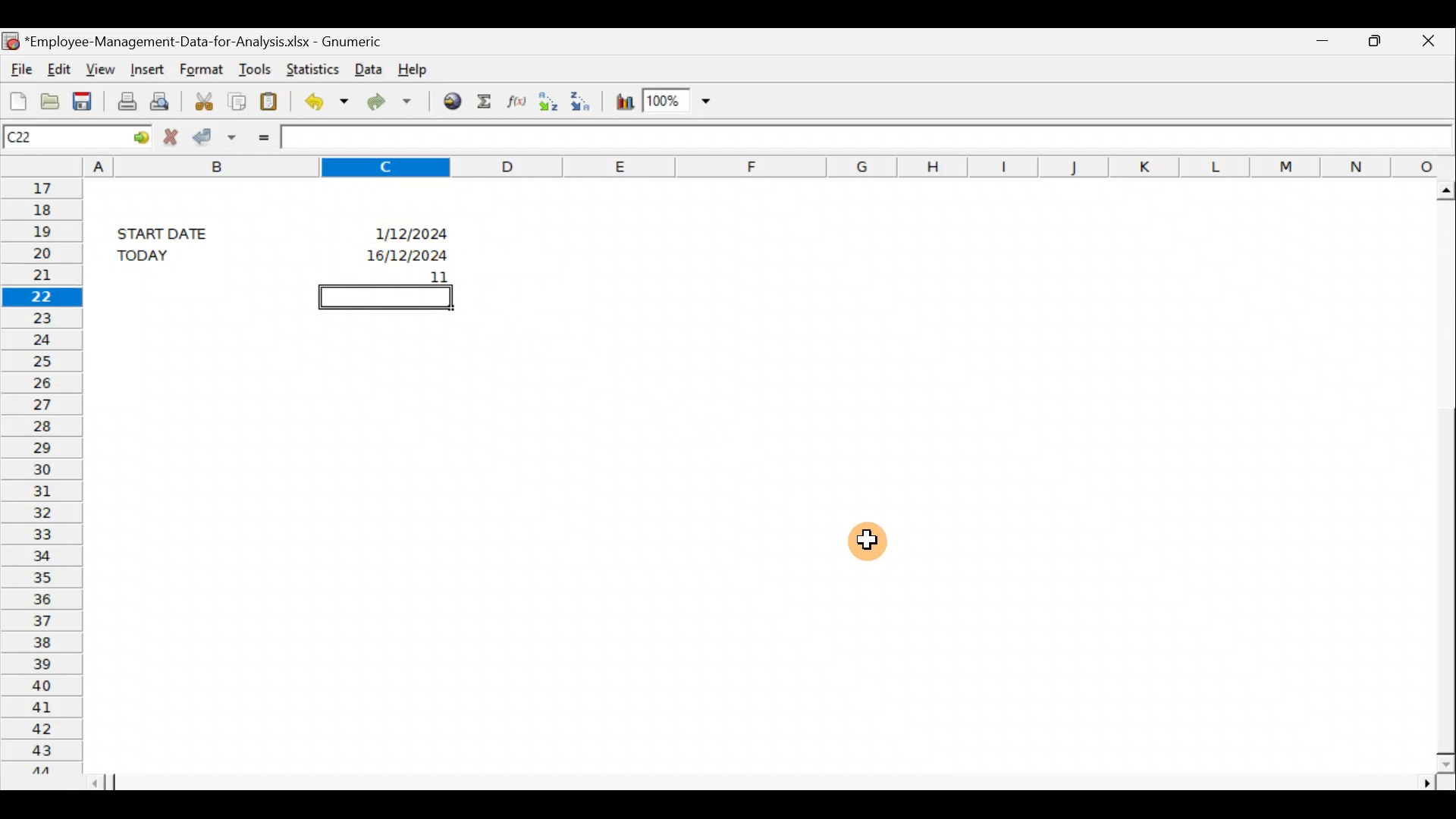 The height and width of the screenshot is (819, 1456). I want to click on Undo last action, so click(323, 99).